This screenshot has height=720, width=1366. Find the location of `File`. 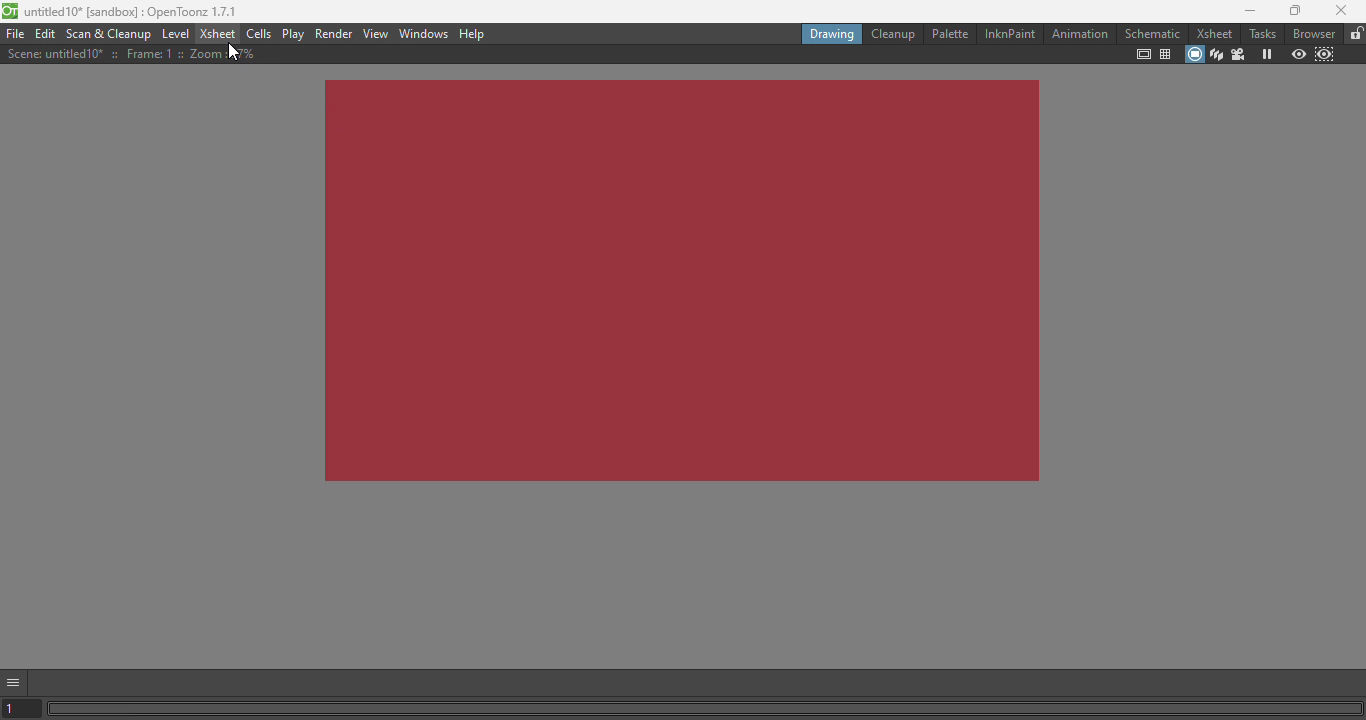

File is located at coordinates (15, 34).